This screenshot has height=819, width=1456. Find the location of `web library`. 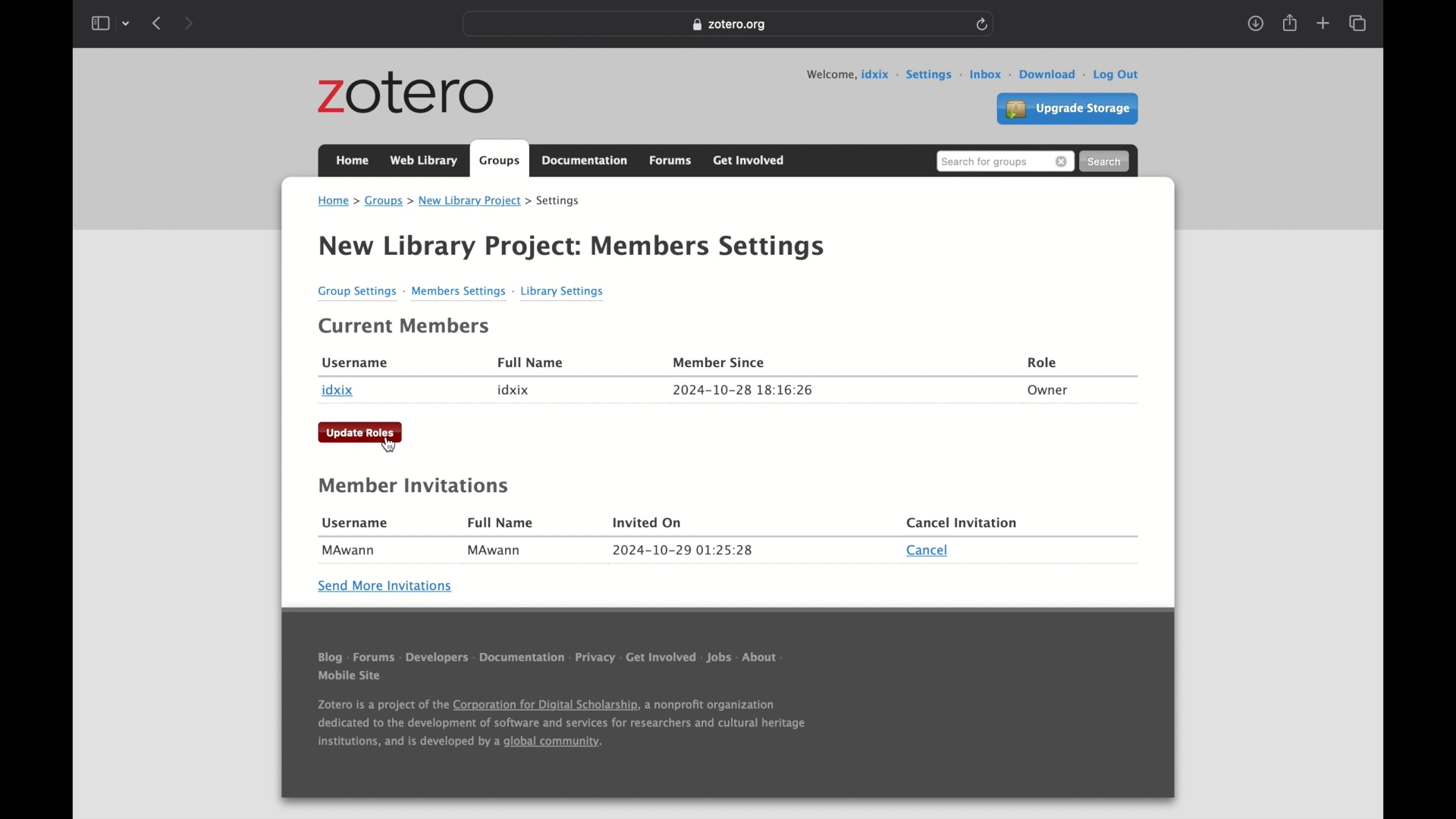

web library is located at coordinates (423, 161).